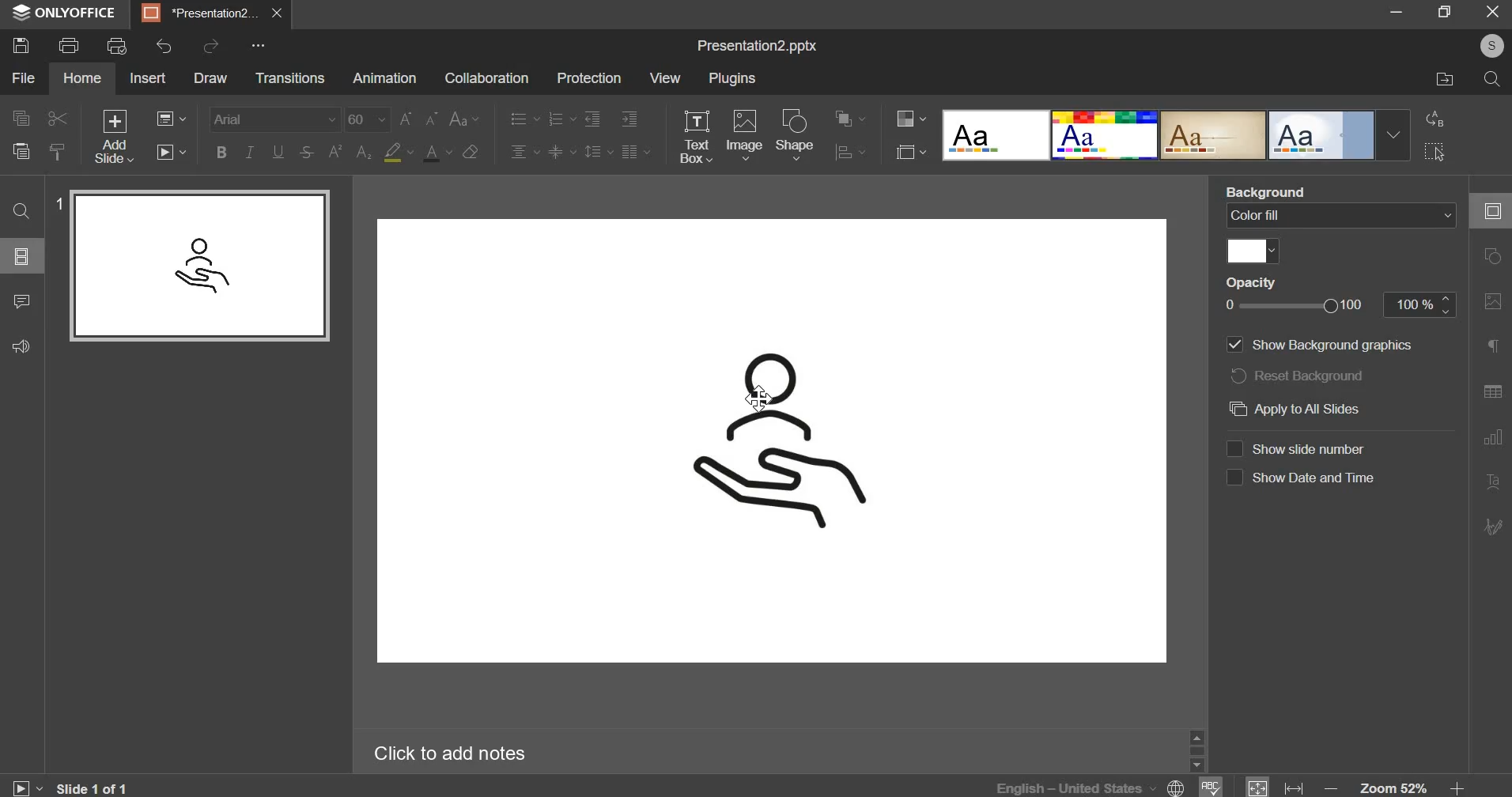 This screenshot has width=1512, height=797. I want to click on exit, so click(1492, 10).